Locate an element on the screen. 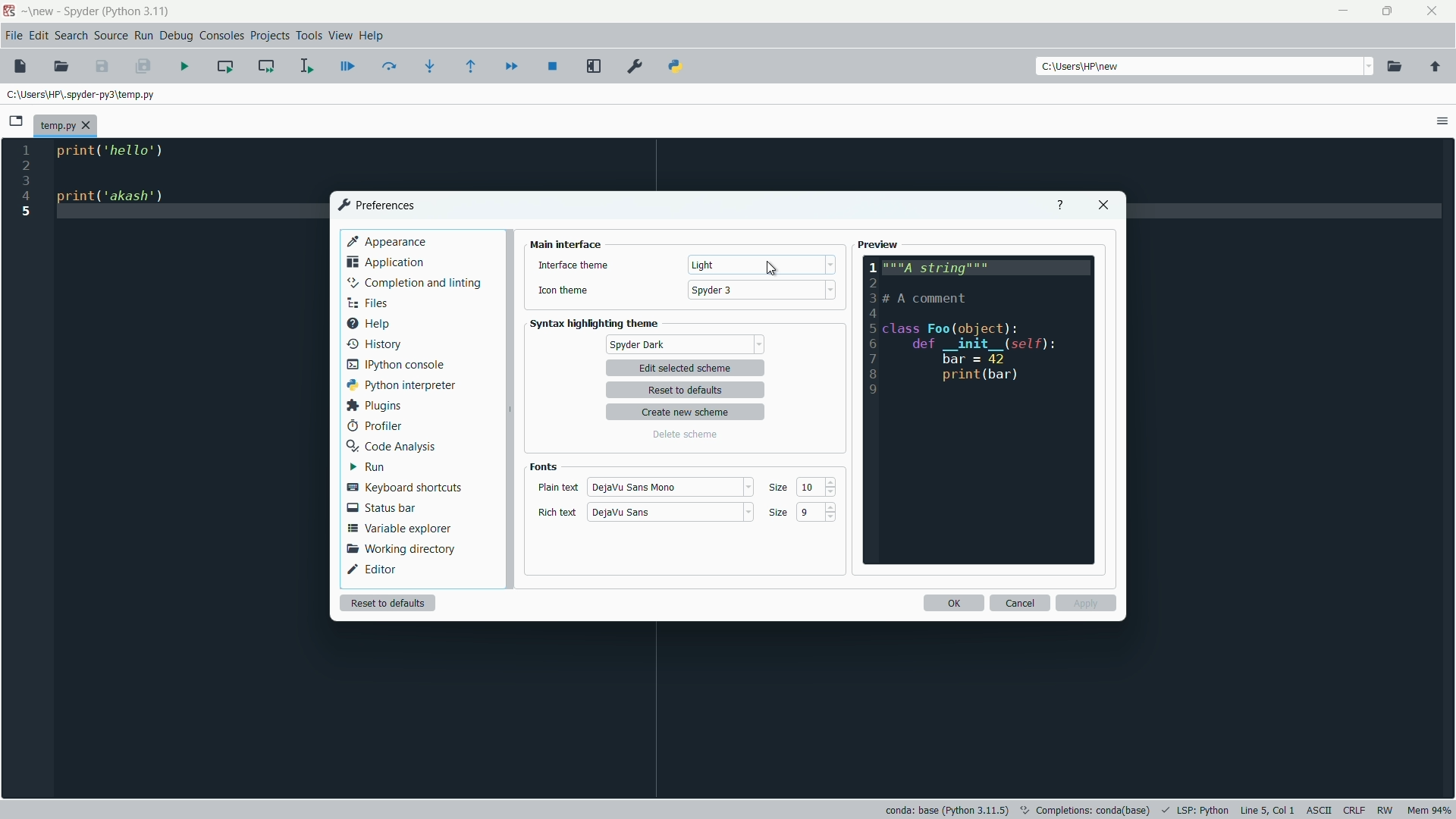 This screenshot has height=819, width=1456. app icon is located at coordinates (9, 11).